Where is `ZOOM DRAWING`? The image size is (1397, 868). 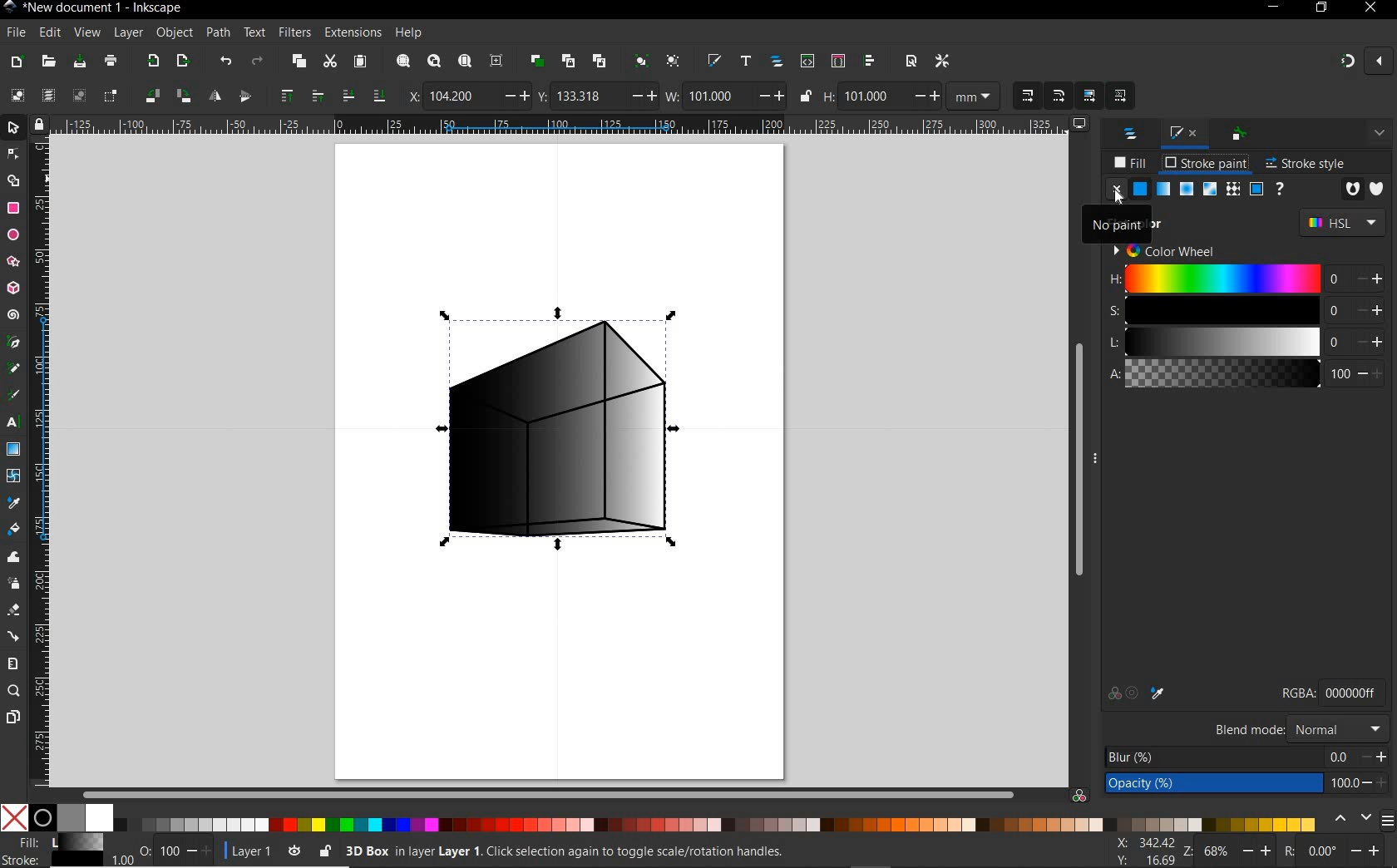 ZOOM DRAWING is located at coordinates (432, 62).